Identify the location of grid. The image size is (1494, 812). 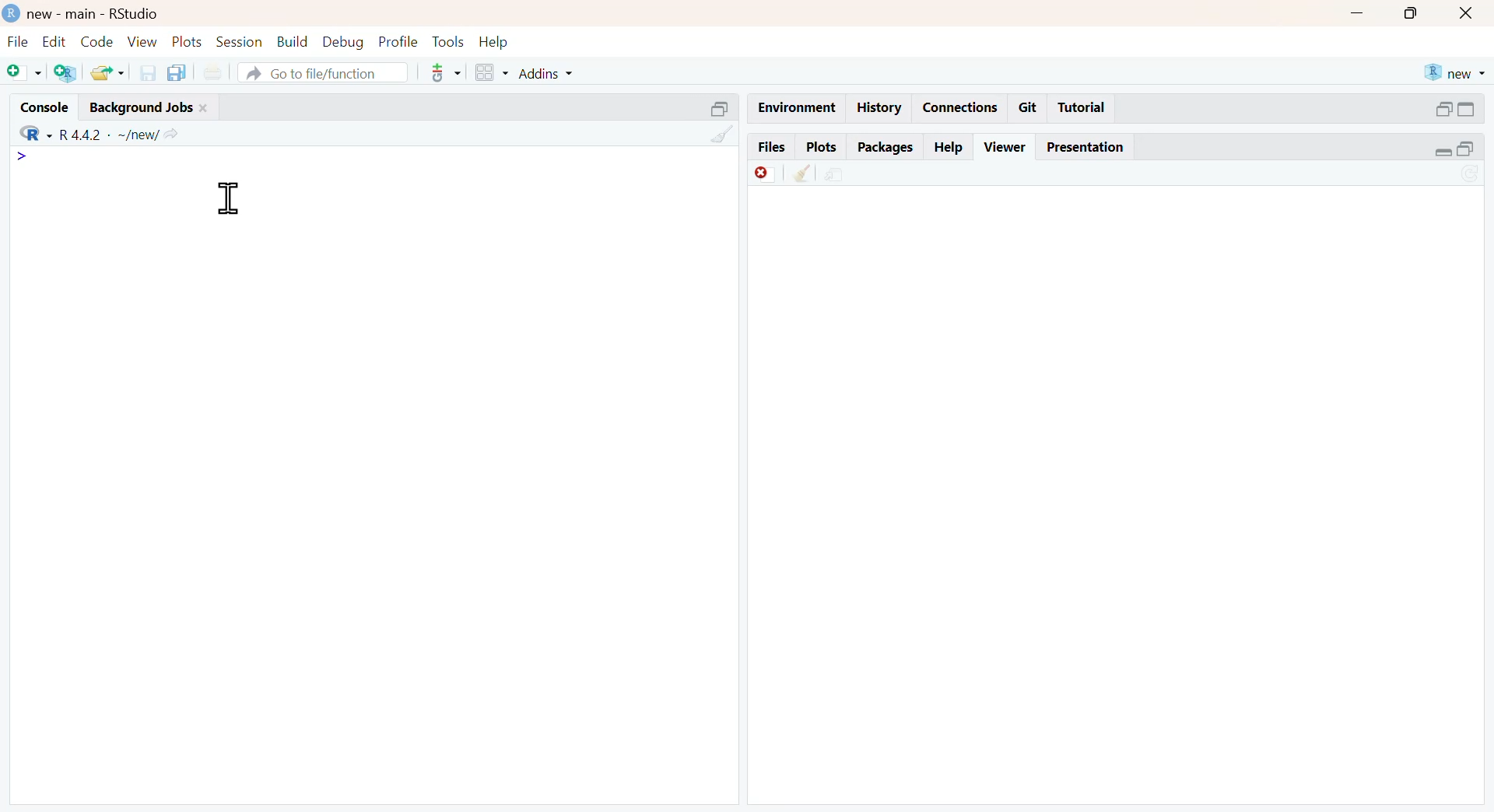
(493, 72).